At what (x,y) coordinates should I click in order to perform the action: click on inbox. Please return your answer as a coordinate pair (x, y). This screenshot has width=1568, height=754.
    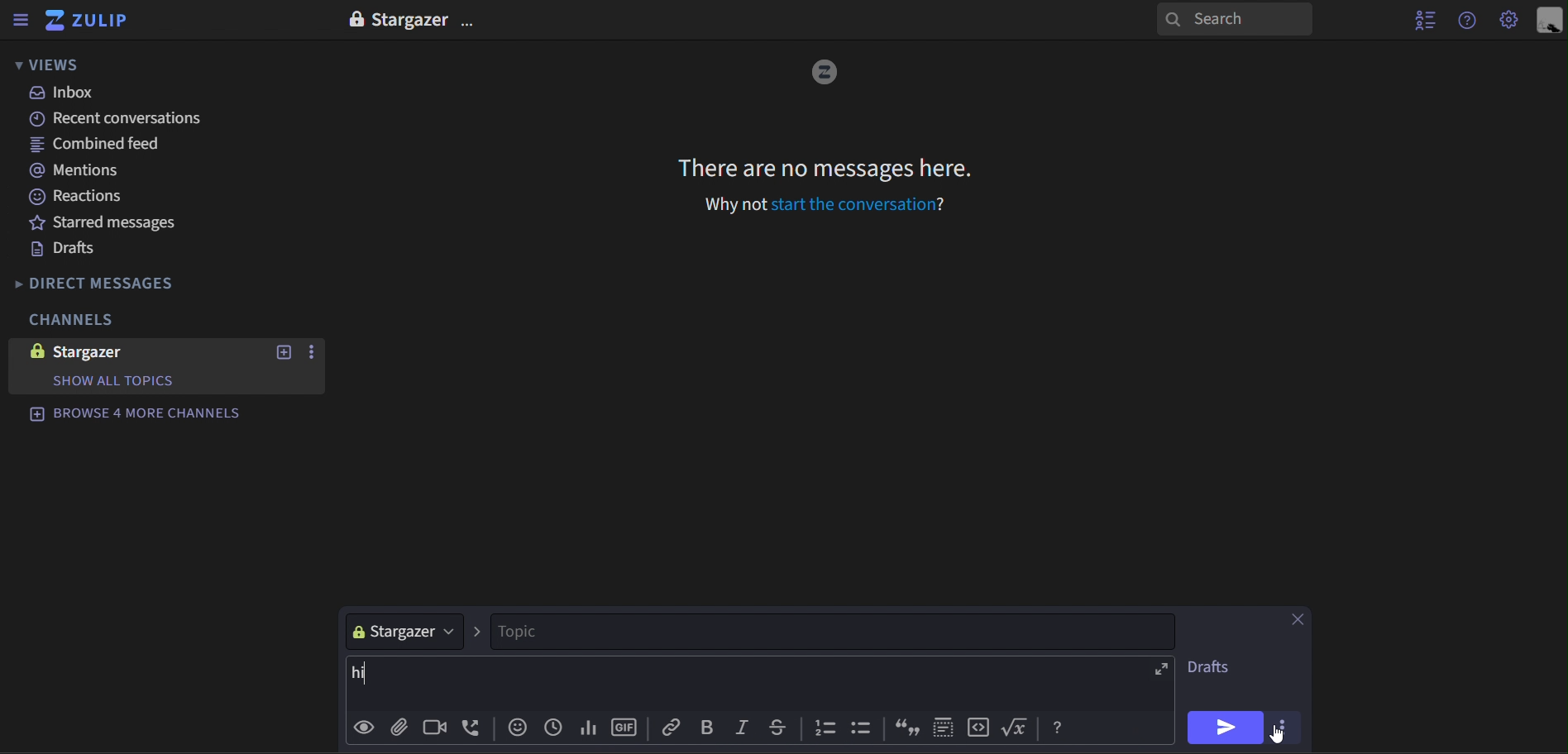
    Looking at the image, I should click on (112, 92).